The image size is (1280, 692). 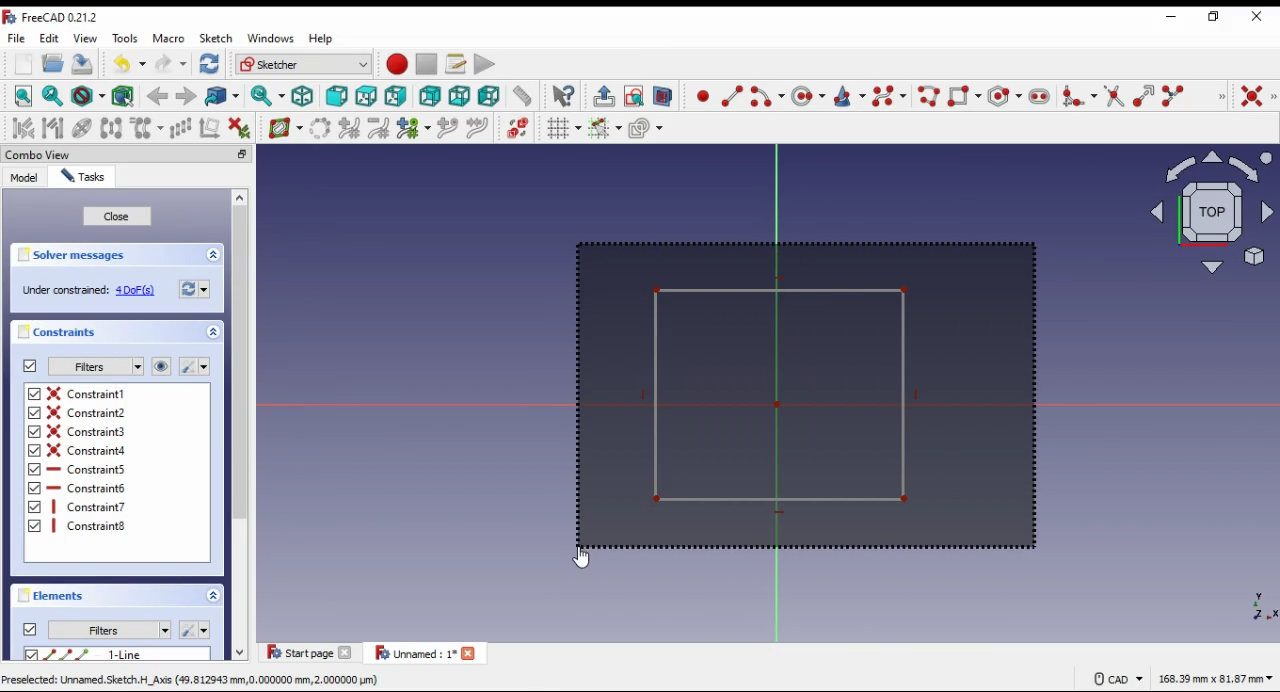 I want to click on clone, so click(x=147, y=128).